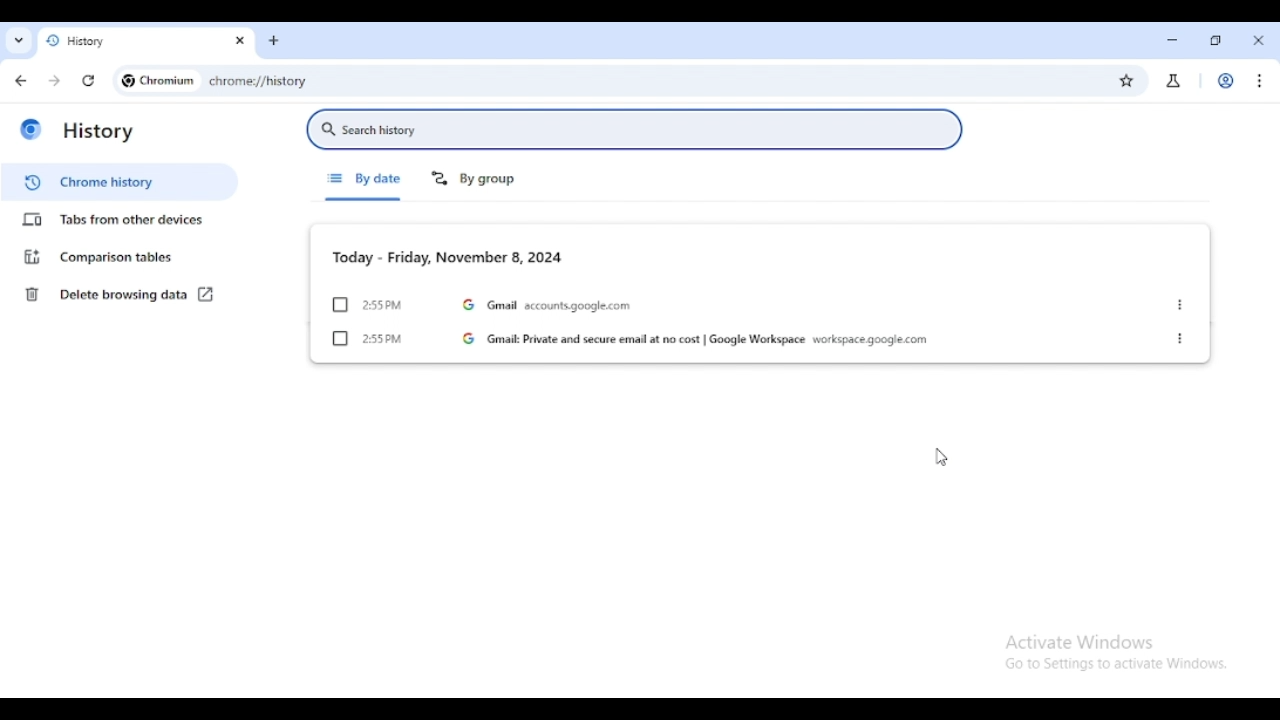 The width and height of the screenshot is (1280, 720). What do you see at coordinates (383, 338) in the screenshot?
I see `2:55 PM` at bounding box center [383, 338].